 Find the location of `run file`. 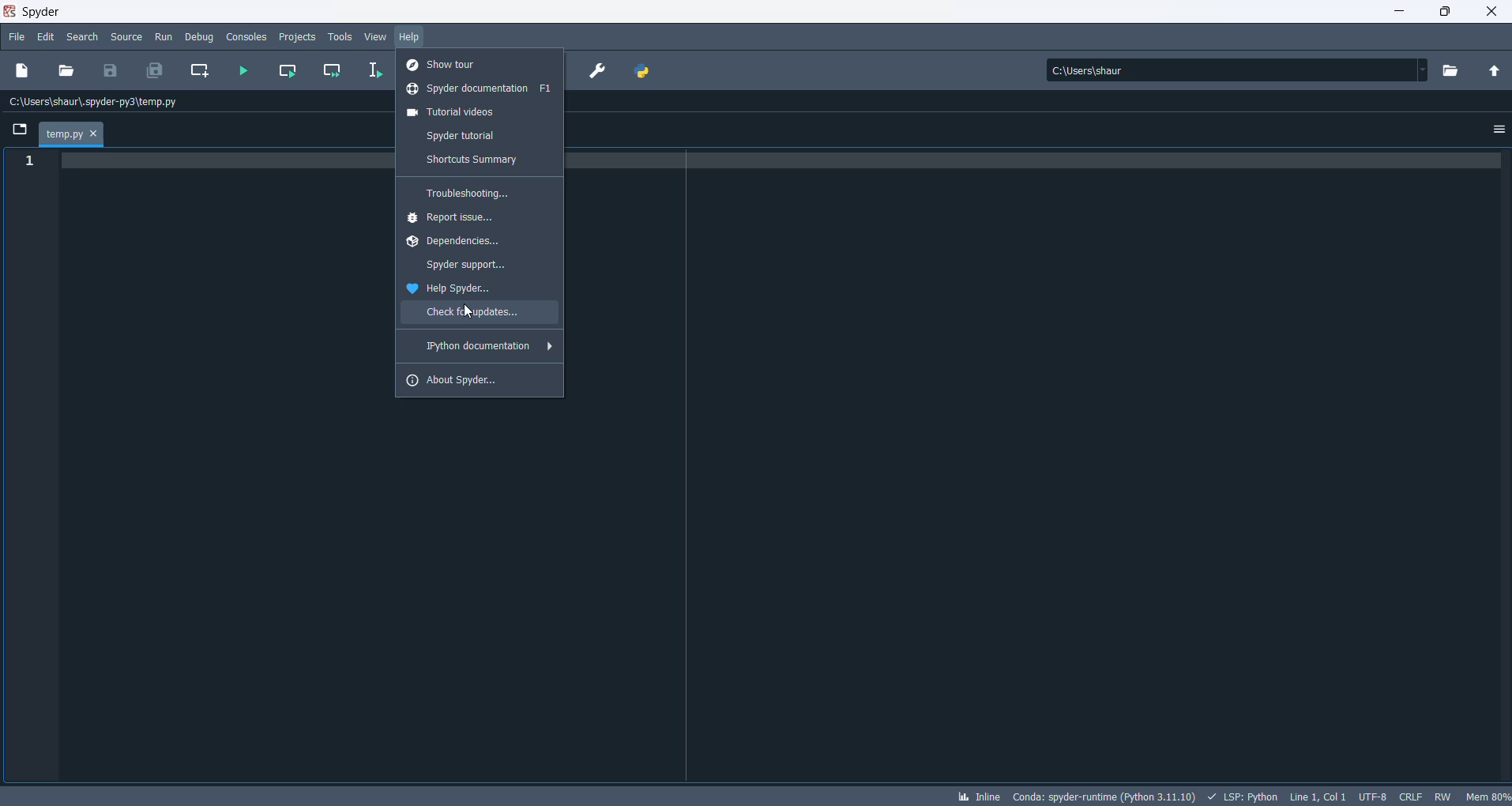

run file is located at coordinates (244, 72).